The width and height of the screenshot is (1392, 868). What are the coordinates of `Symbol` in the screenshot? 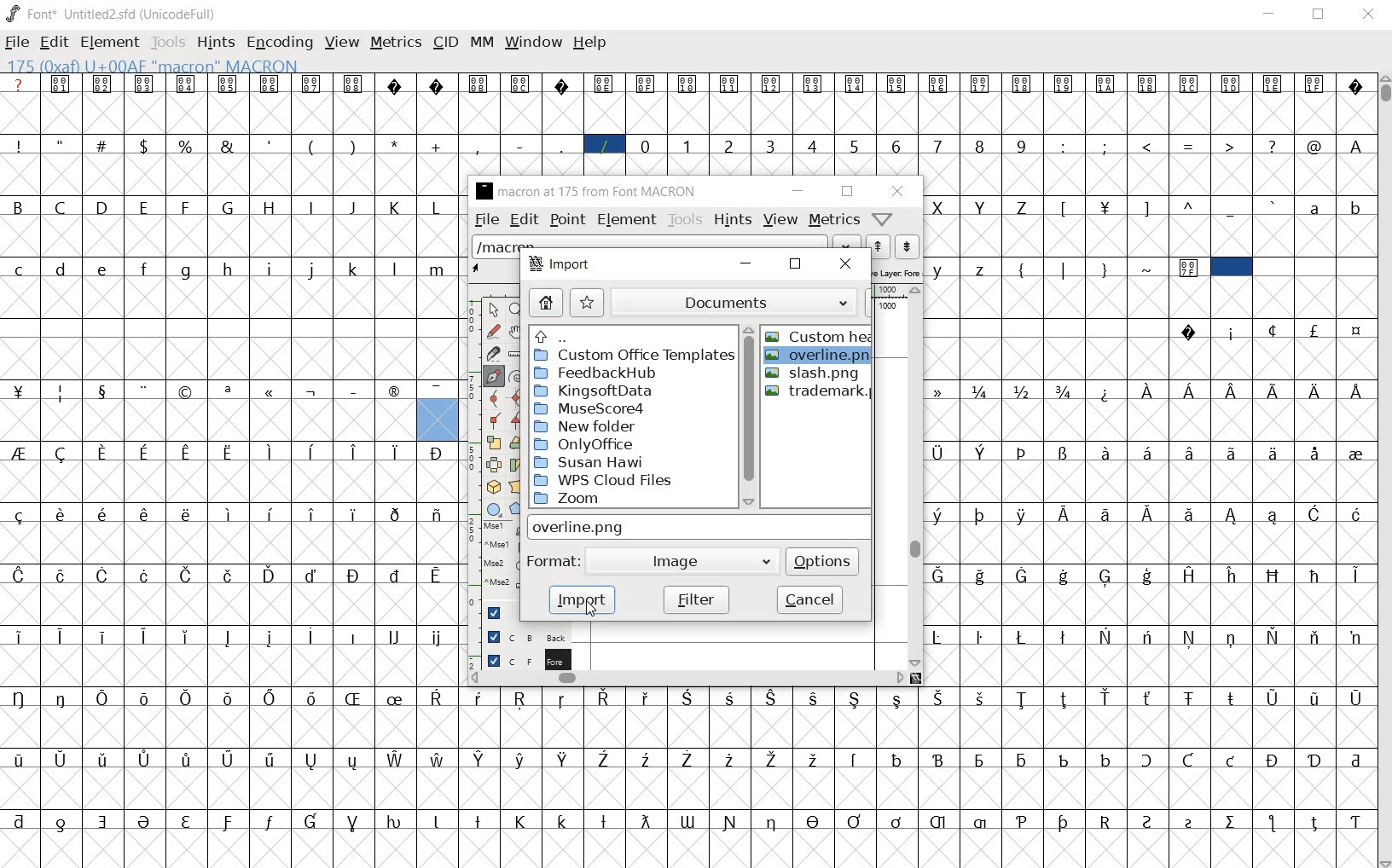 It's located at (1107, 453).